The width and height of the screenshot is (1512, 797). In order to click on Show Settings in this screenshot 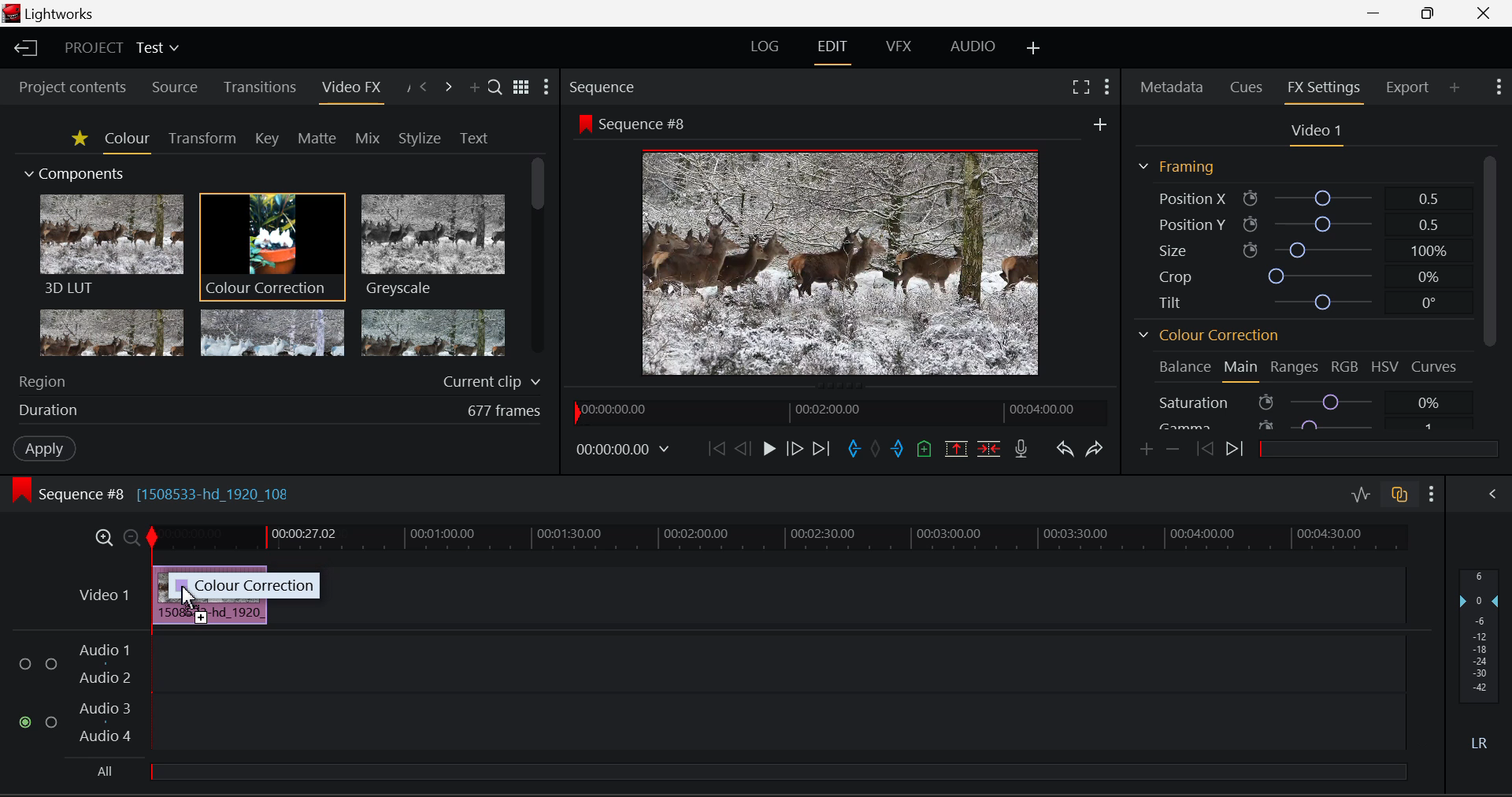, I will do `click(547, 87)`.